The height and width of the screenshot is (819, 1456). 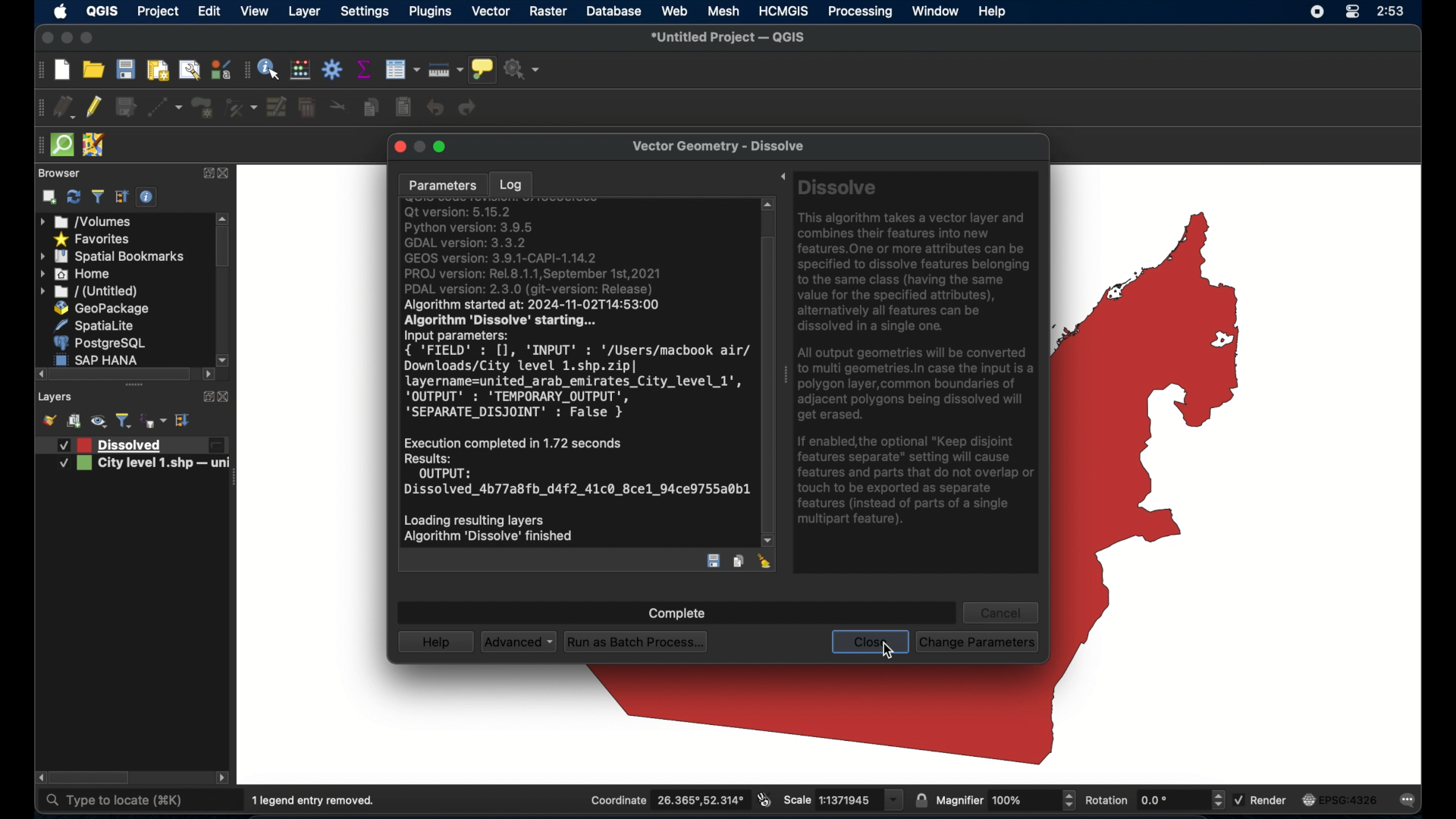 What do you see at coordinates (714, 563) in the screenshot?
I see `save log entry` at bounding box center [714, 563].